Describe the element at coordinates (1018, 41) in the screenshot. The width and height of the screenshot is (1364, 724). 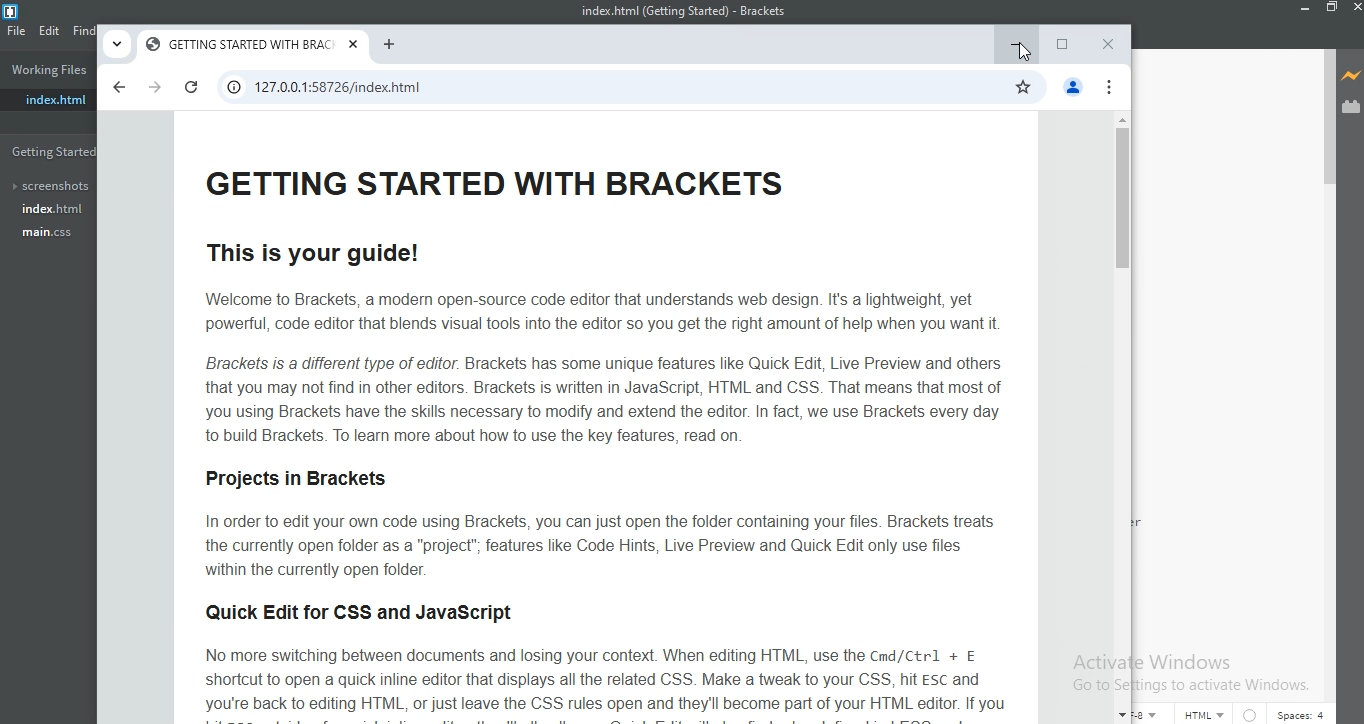
I see `Minimise` at that location.